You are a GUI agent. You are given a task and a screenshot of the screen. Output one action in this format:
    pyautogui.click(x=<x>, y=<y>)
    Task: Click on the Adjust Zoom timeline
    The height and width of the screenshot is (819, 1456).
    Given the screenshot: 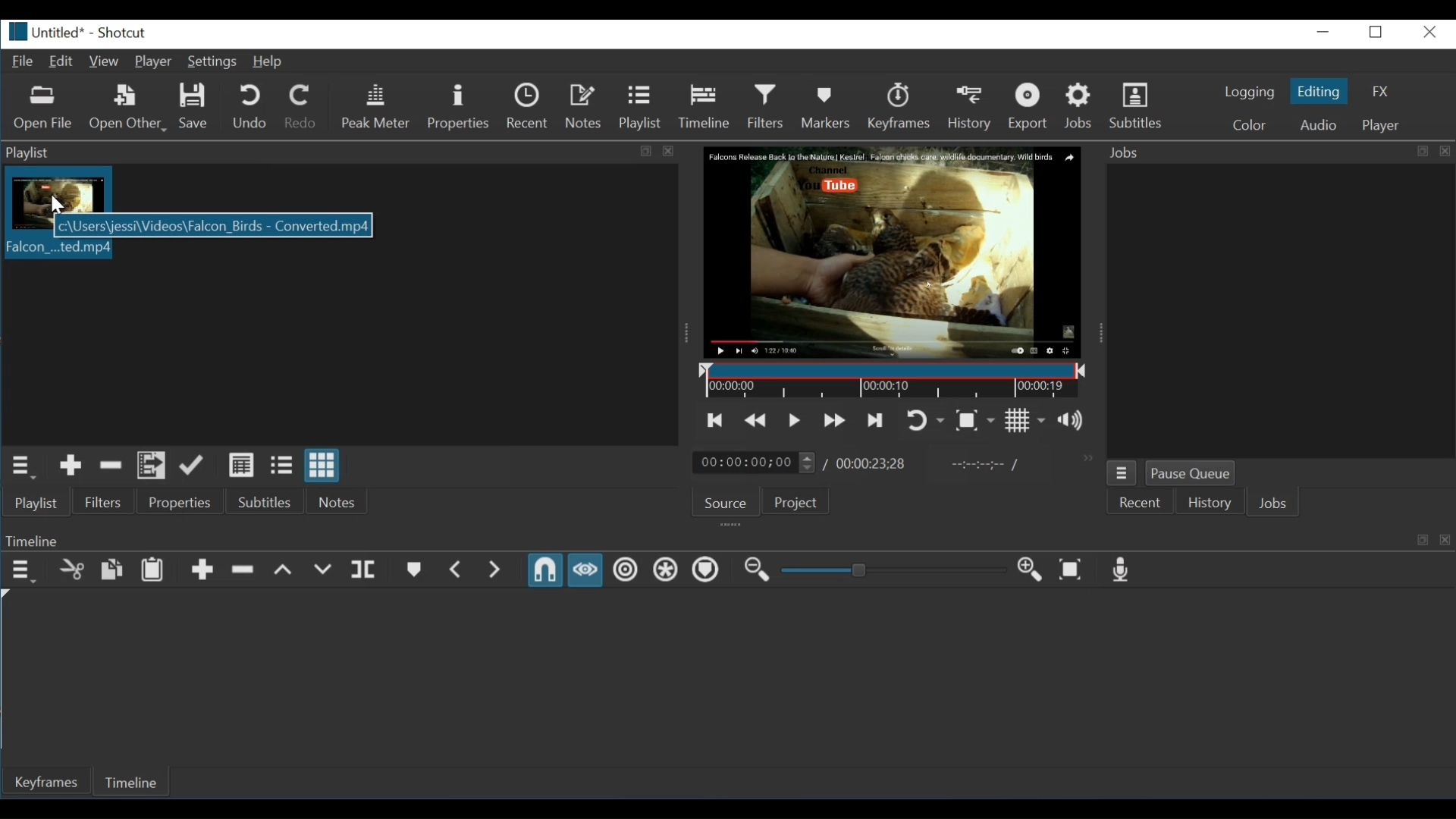 What is the action you would take?
    pyautogui.click(x=891, y=570)
    